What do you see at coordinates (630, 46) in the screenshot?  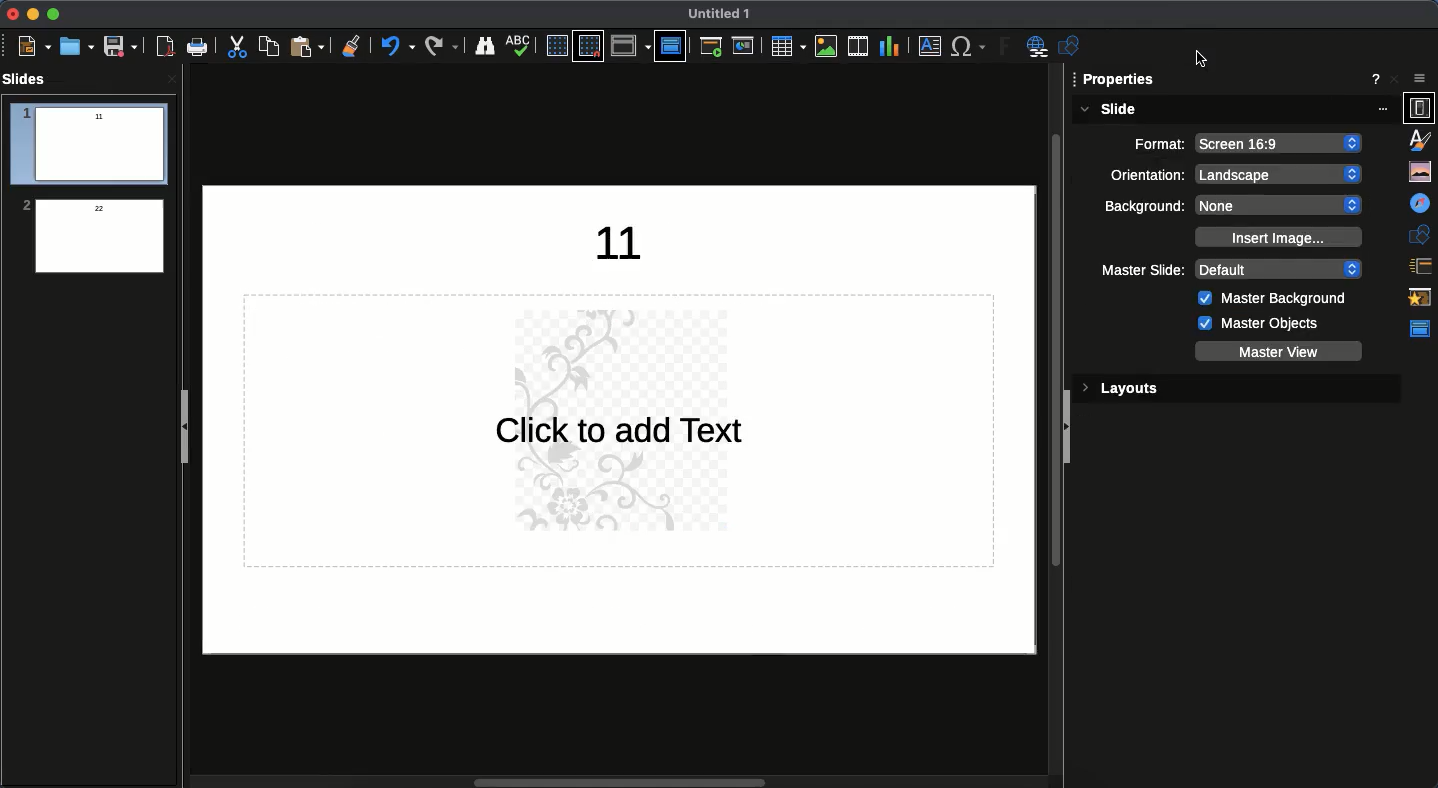 I see `Display view` at bounding box center [630, 46].